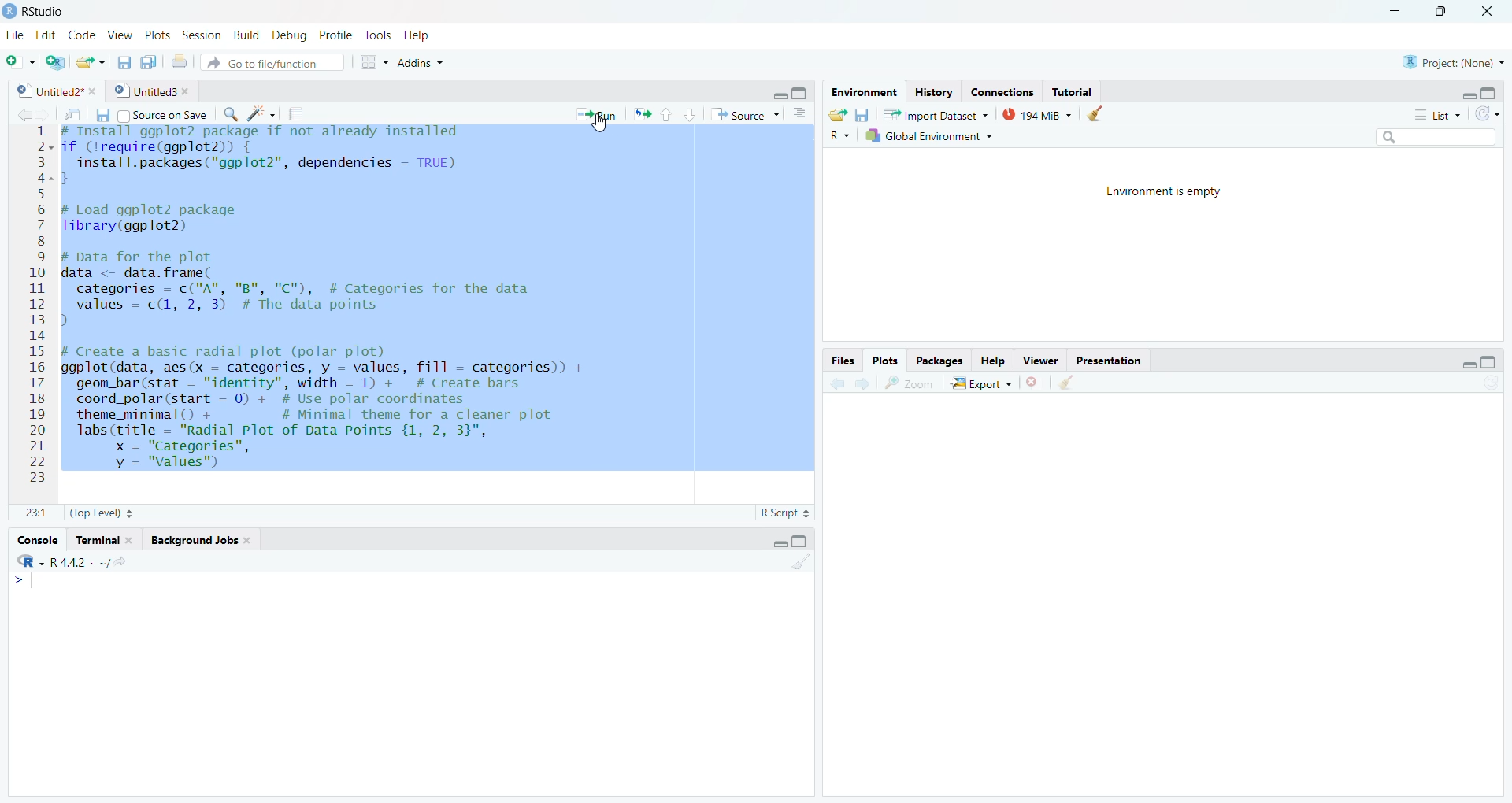 Image resolution: width=1512 pixels, height=803 pixels. What do you see at coordinates (864, 384) in the screenshot?
I see `move forward` at bounding box center [864, 384].